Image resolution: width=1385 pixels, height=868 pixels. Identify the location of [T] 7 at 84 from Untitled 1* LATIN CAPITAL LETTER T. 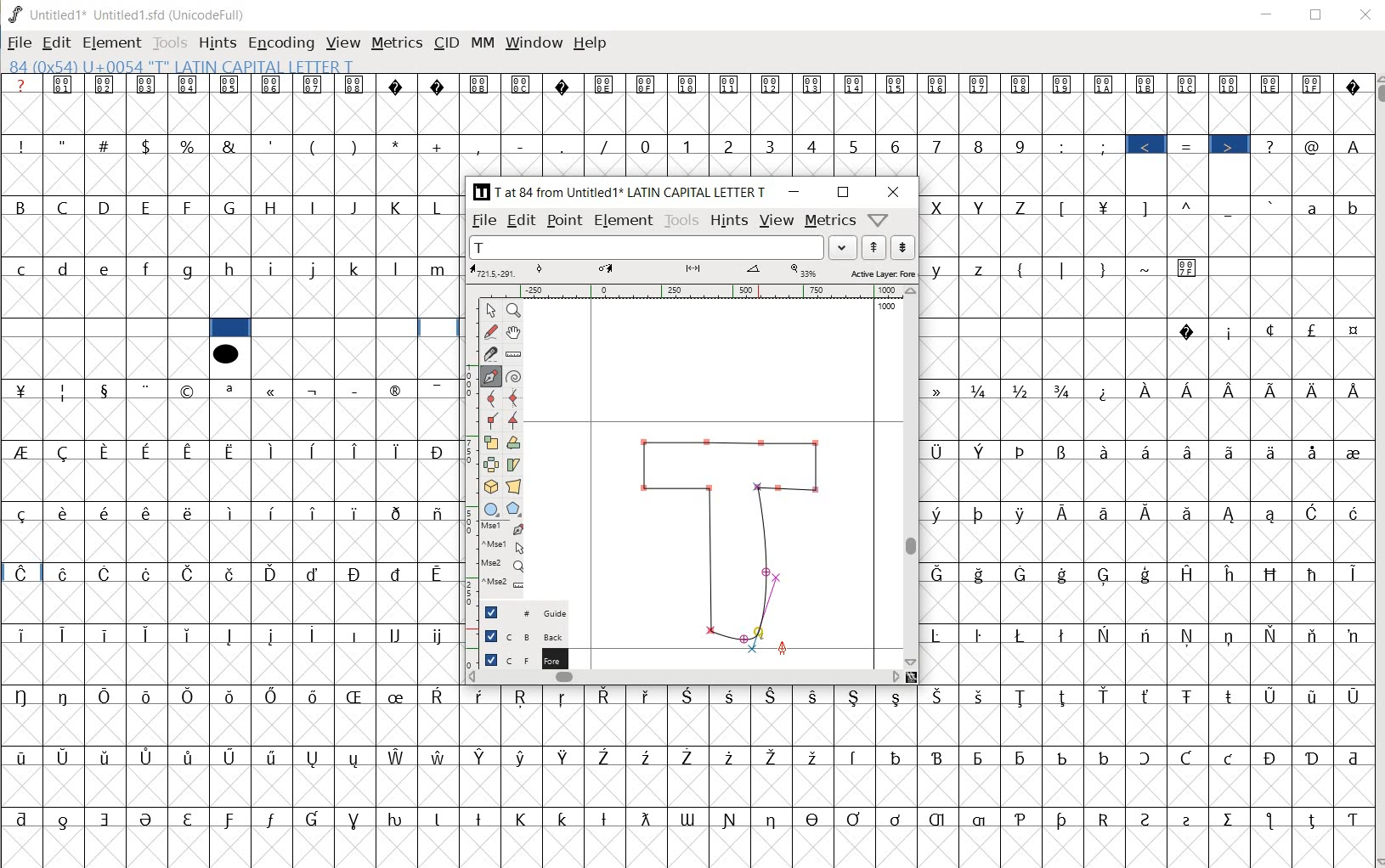
(624, 192).